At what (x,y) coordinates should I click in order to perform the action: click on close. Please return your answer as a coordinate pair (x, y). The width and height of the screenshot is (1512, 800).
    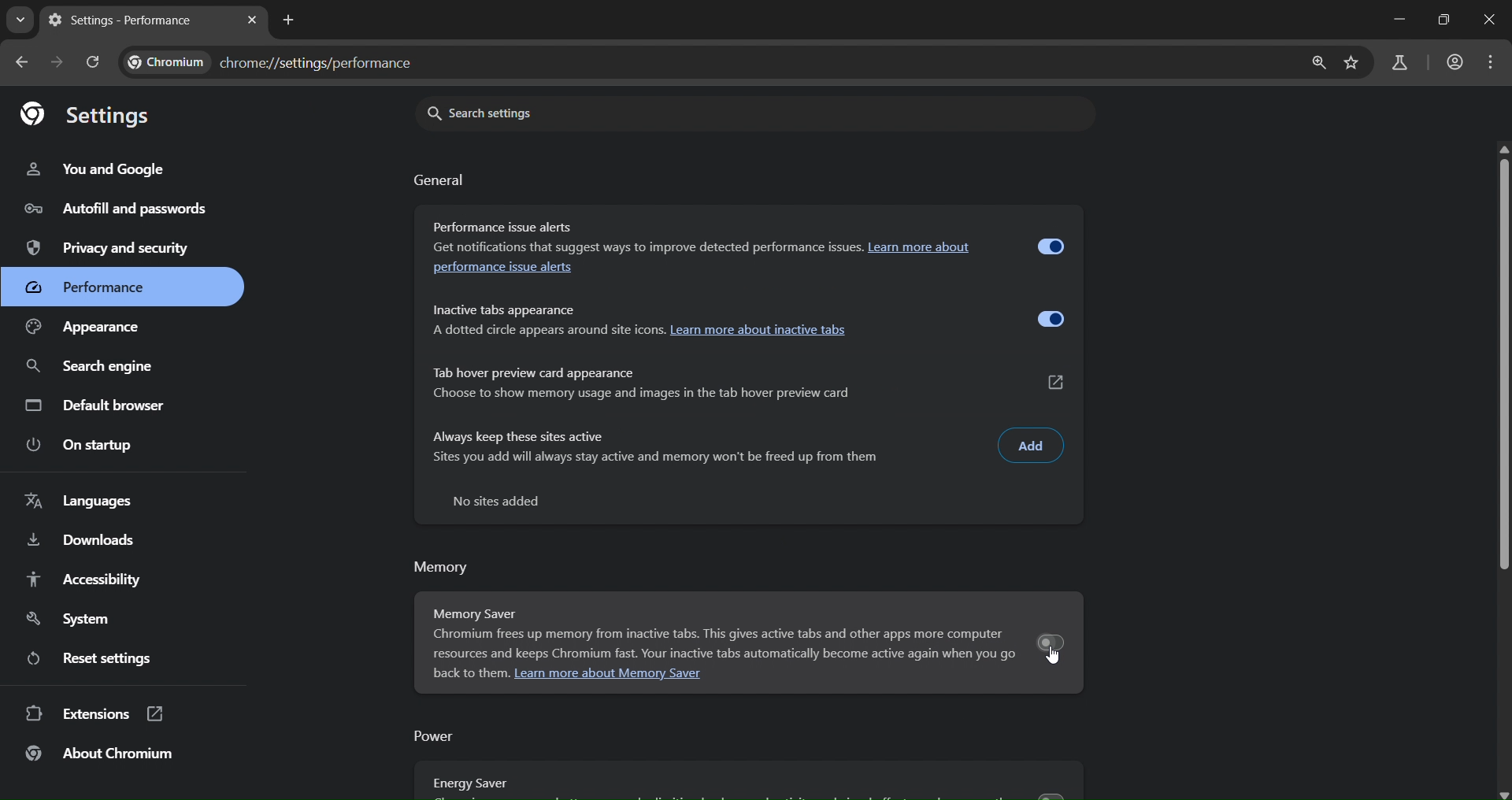
    Looking at the image, I should click on (1490, 20).